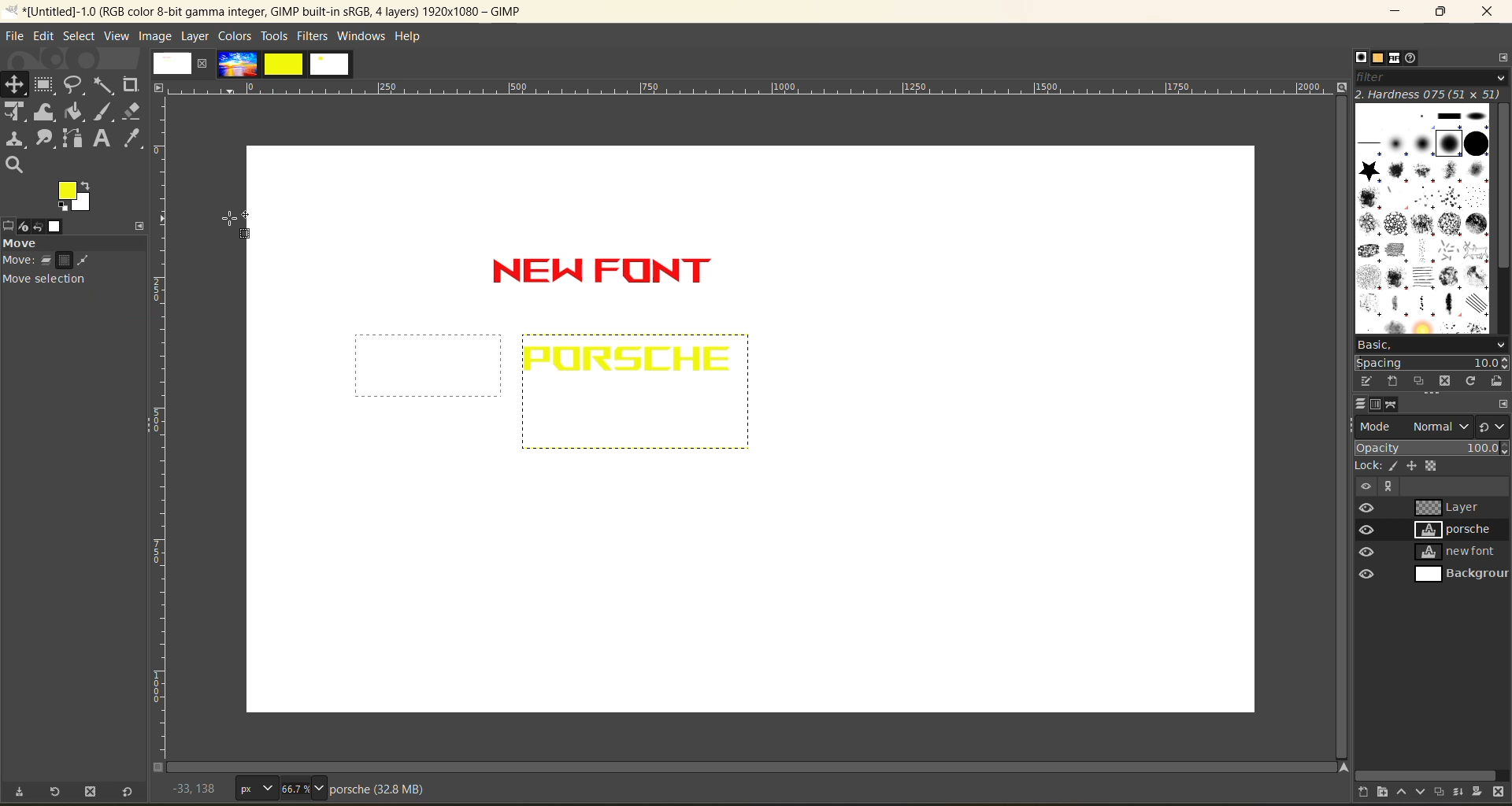 The image size is (1512, 806). I want to click on close, so click(1488, 13).